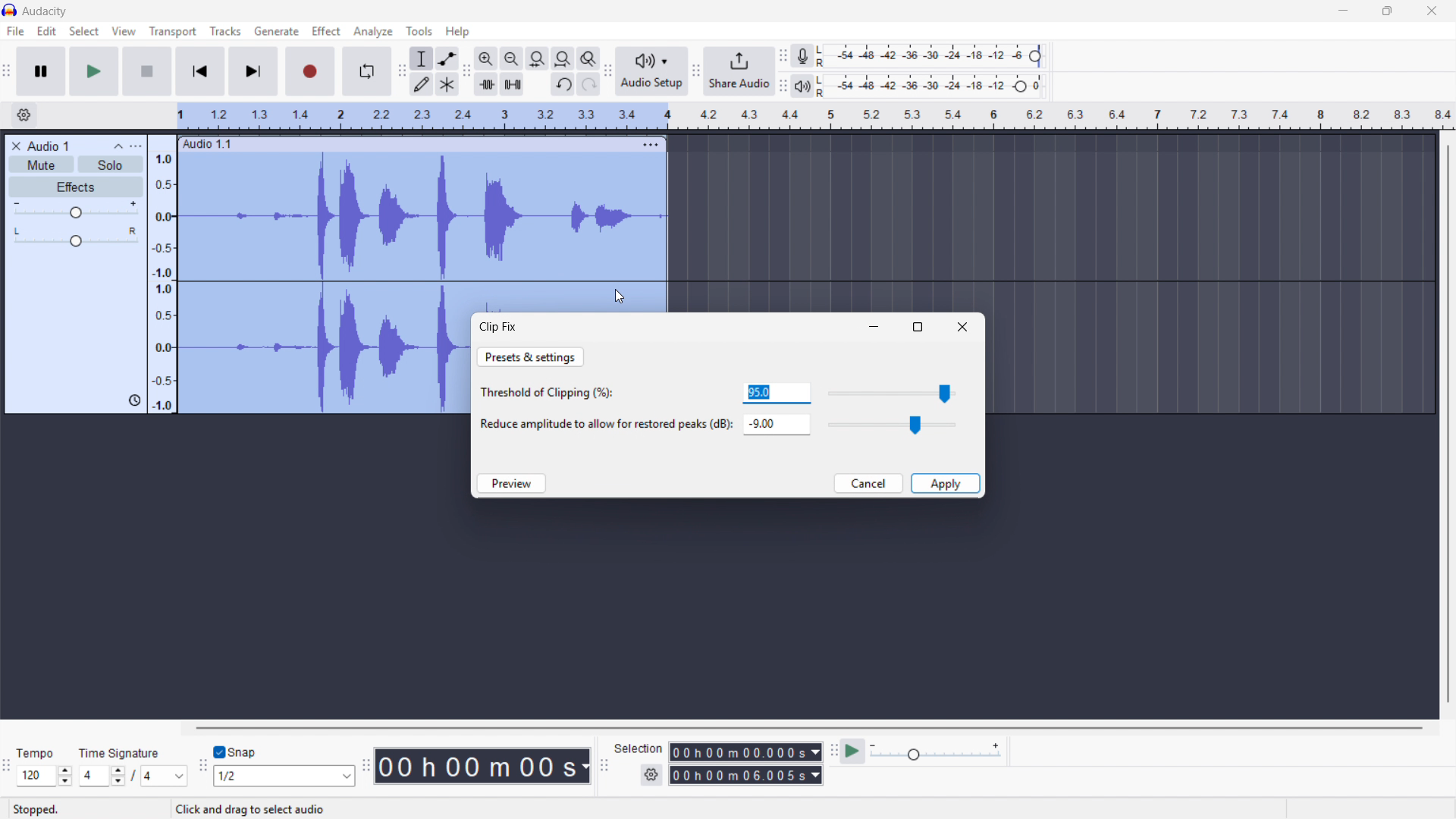 The height and width of the screenshot is (819, 1456). What do you see at coordinates (513, 84) in the screenshot?
I see `Silence audio selection` at bounding box center [513, 84].